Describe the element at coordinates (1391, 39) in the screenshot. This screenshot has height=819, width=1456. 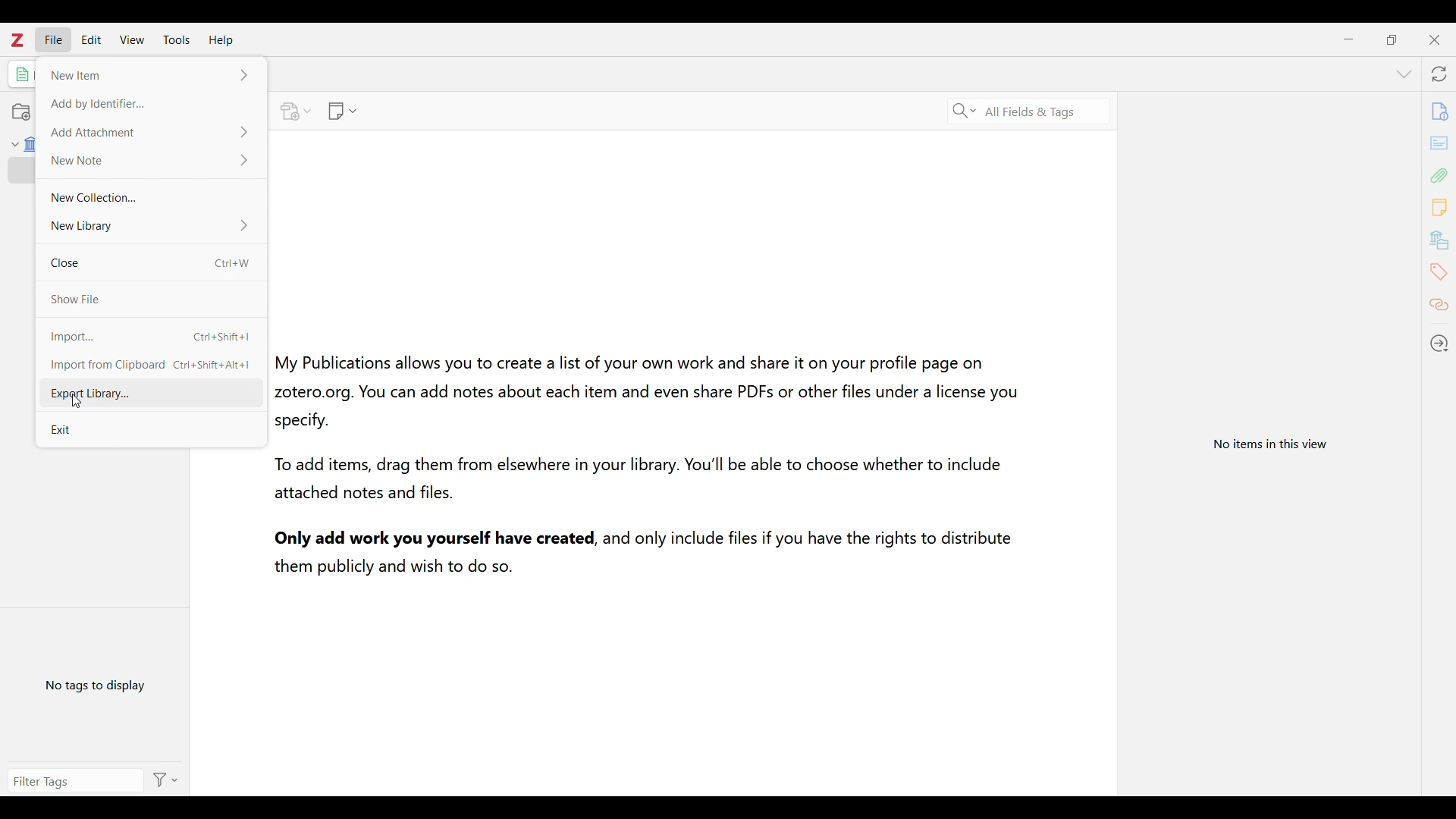
I see `Show interface in a smaller tab` at that location.